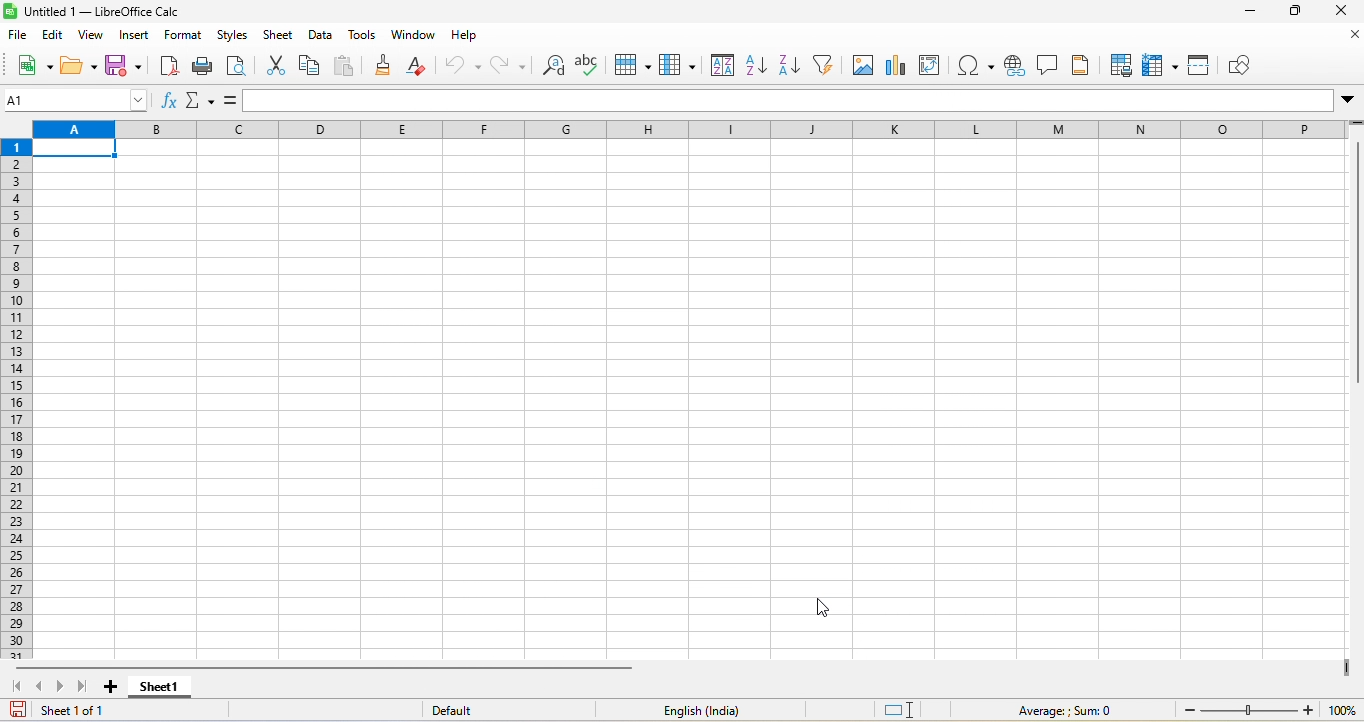 Image resolution: width=1364 pixels, height=722 pixels. What do you see at coordinates (757, 65) in the screenshot?
I see `sort ascending` at bounding box center [757, 65].